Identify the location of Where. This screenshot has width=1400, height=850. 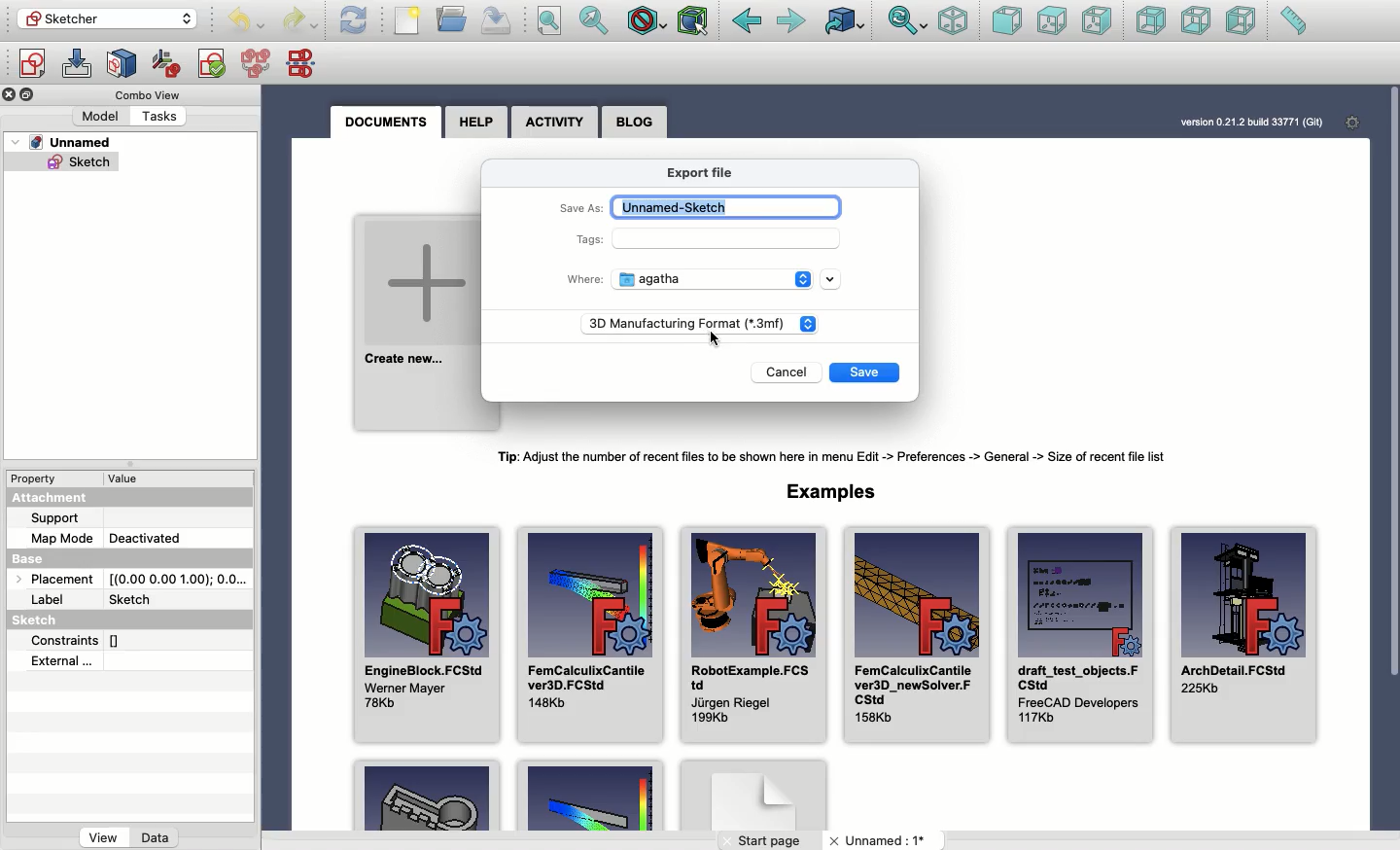
(586, 278).